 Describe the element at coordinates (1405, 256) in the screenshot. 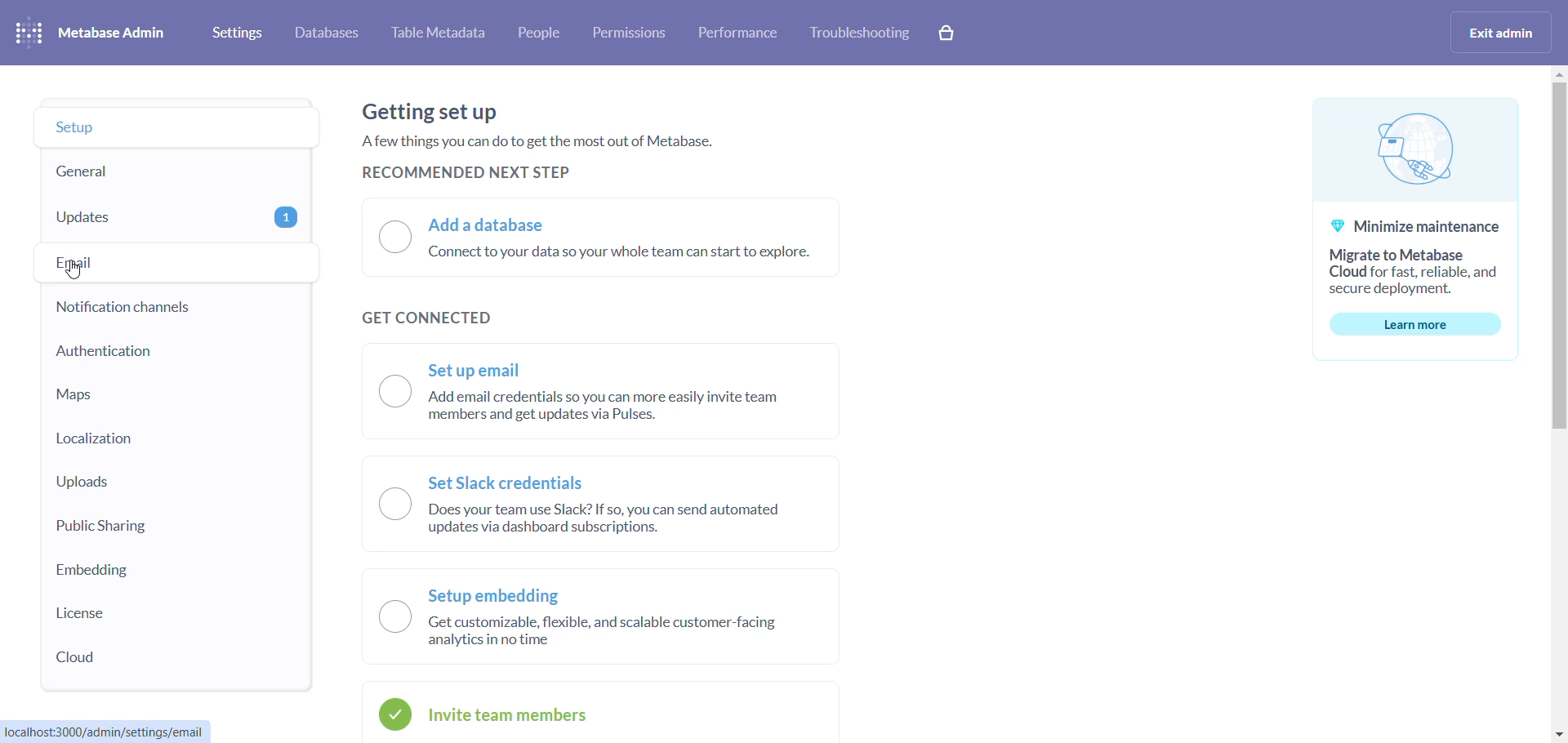

I see `@ Minimize maintenance
Migrate to Metabase
Cloud for fast, reliable, and
secure deployment.` at that location.